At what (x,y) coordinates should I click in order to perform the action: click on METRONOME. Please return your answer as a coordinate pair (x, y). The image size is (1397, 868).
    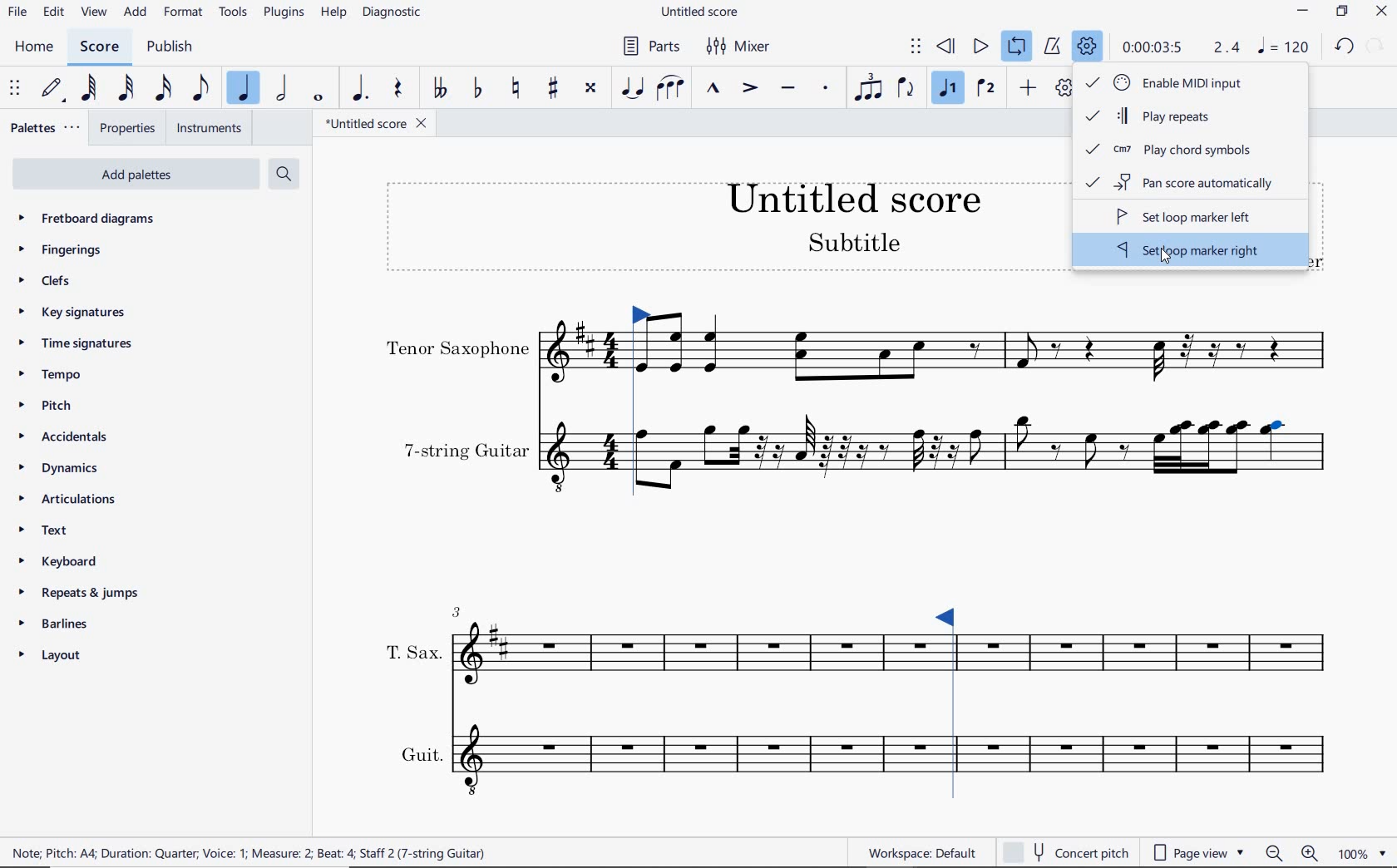
    Looking at the image, I should click on (1052, 45).